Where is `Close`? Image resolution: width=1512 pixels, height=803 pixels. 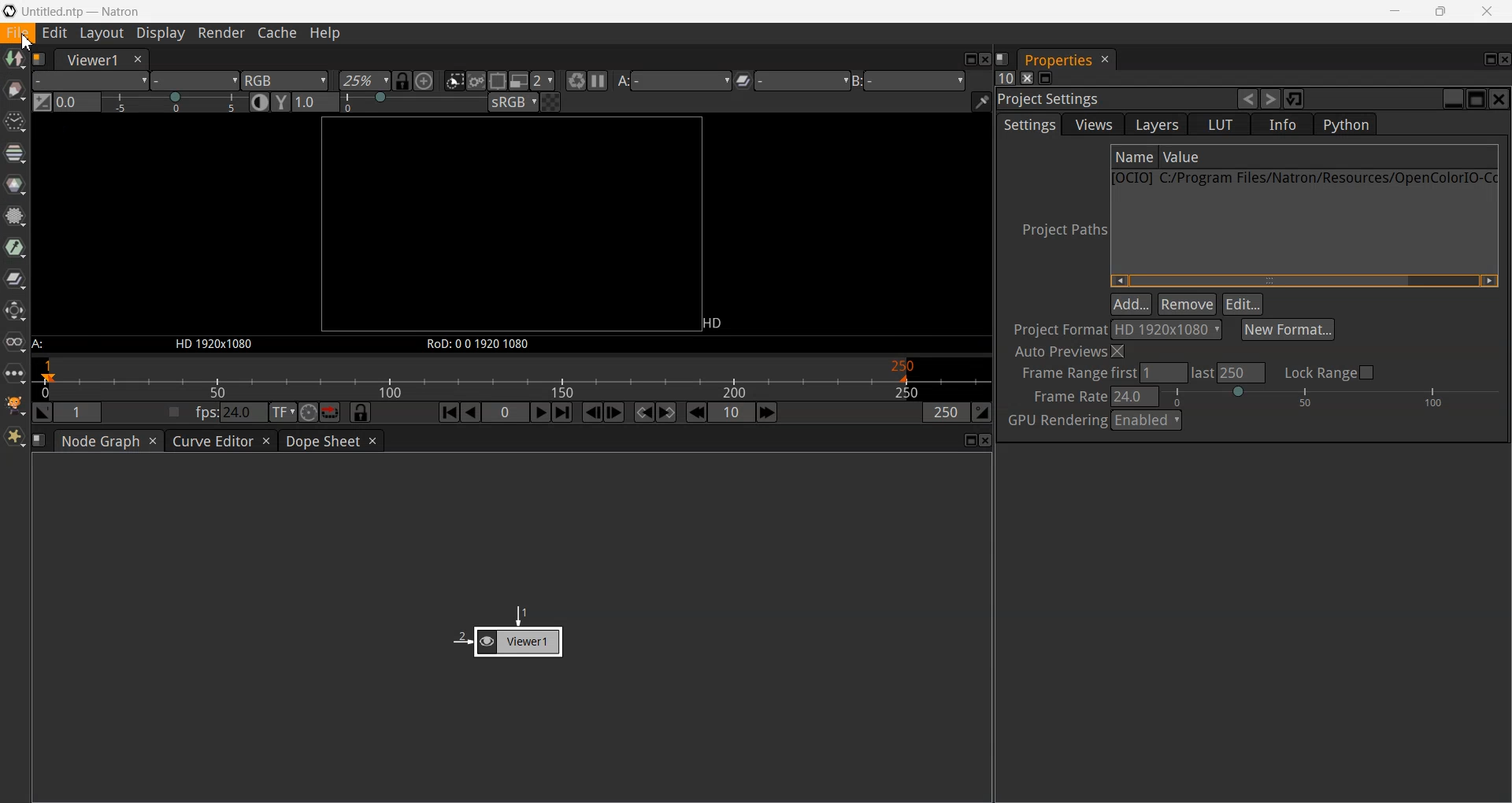 Close is located at coordinates (985, 59).